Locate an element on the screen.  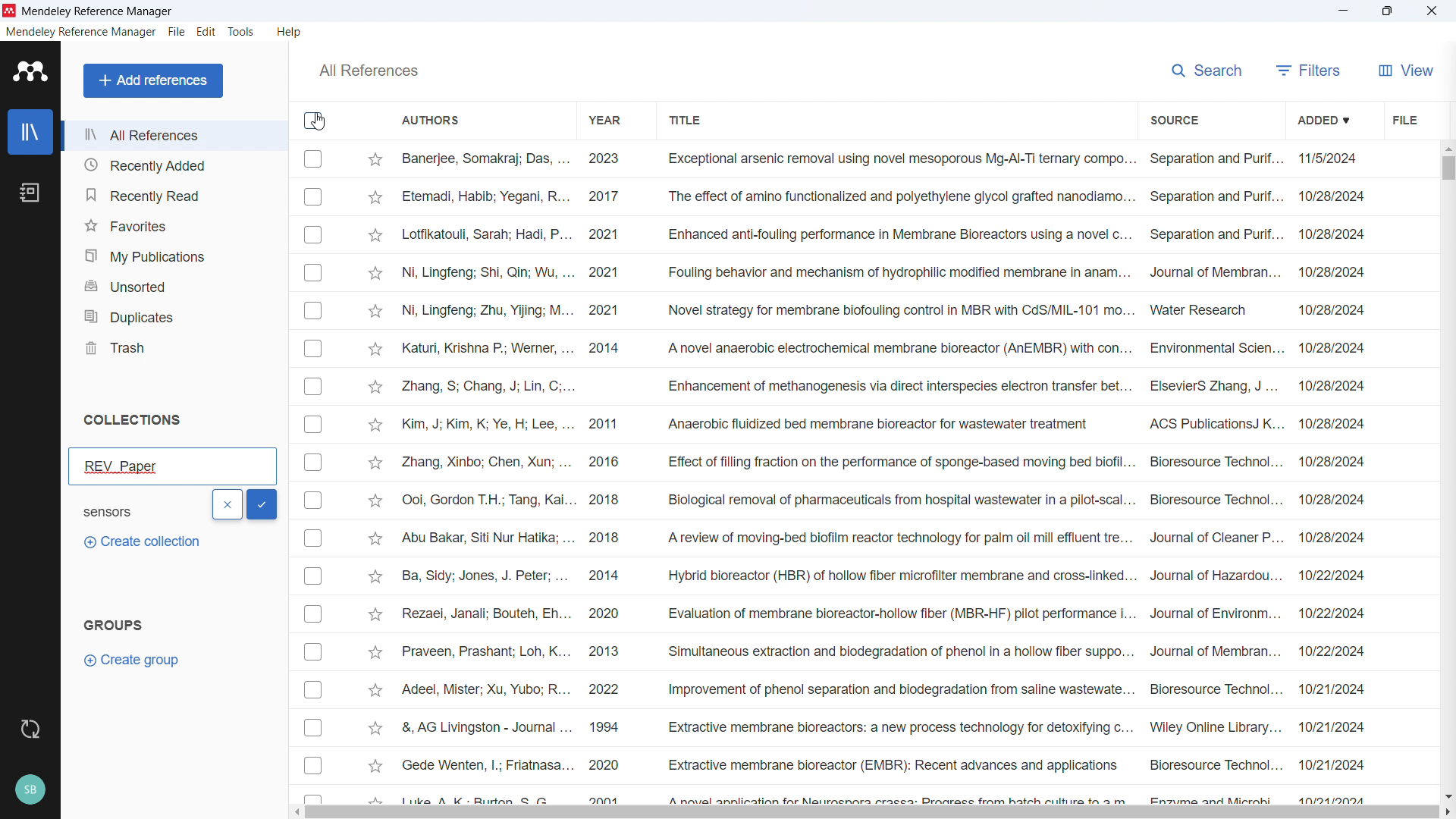
File is located at coordinates (1404, 118).